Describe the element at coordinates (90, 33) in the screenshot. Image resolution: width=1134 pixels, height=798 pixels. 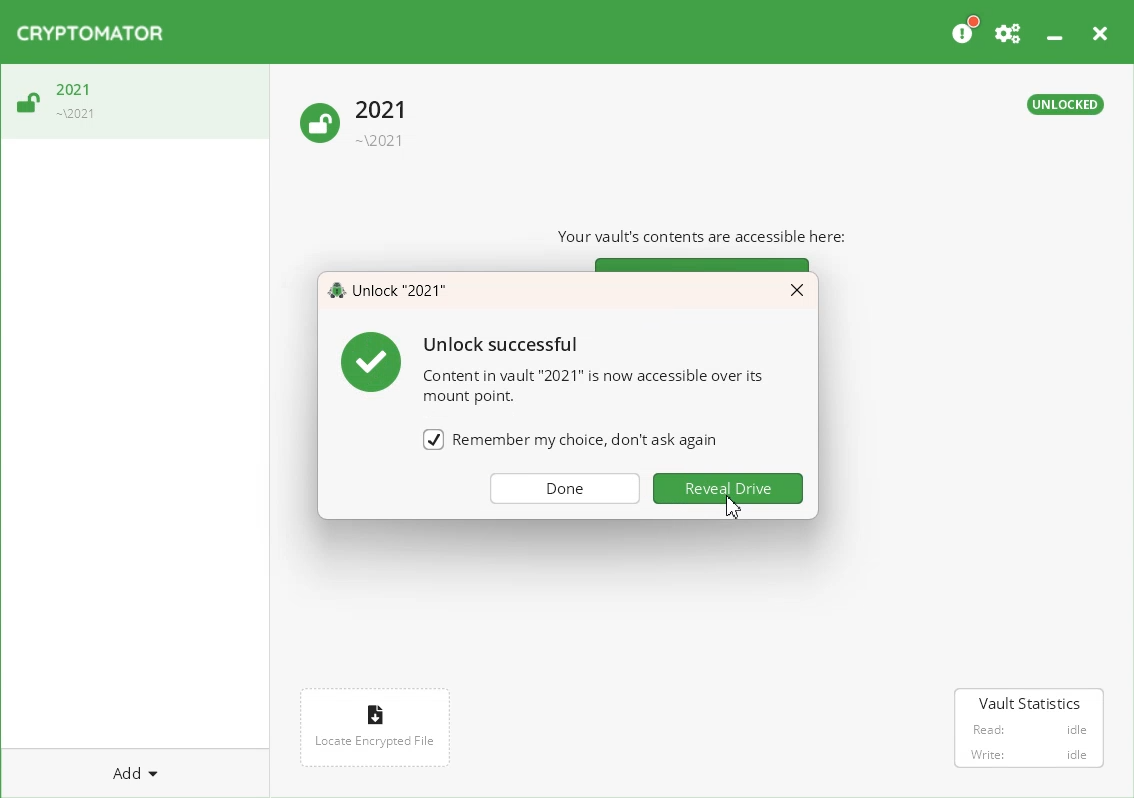
I see `Logo` at that location.